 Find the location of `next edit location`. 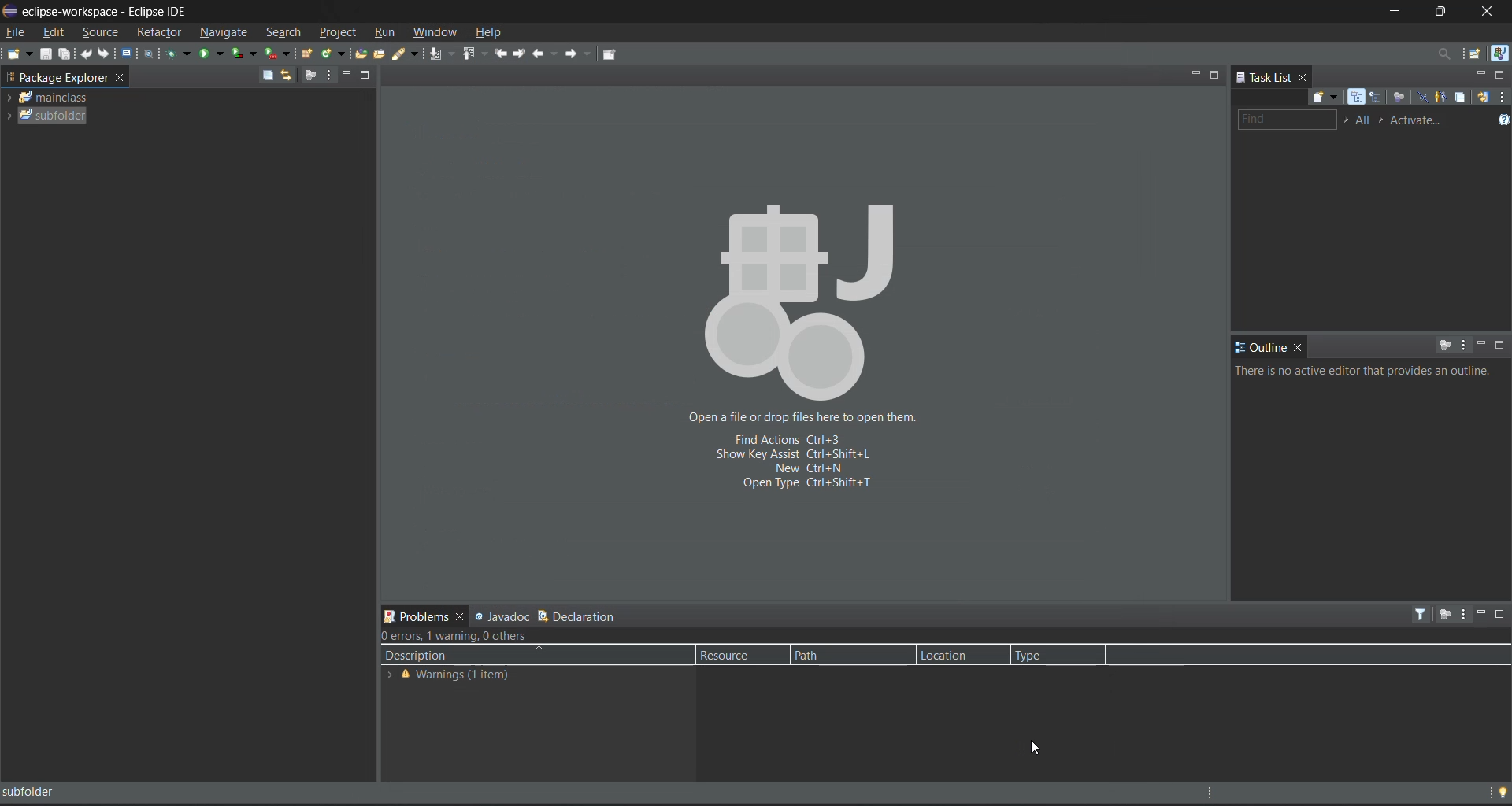

next edit location is located at coordinates (522, 51).